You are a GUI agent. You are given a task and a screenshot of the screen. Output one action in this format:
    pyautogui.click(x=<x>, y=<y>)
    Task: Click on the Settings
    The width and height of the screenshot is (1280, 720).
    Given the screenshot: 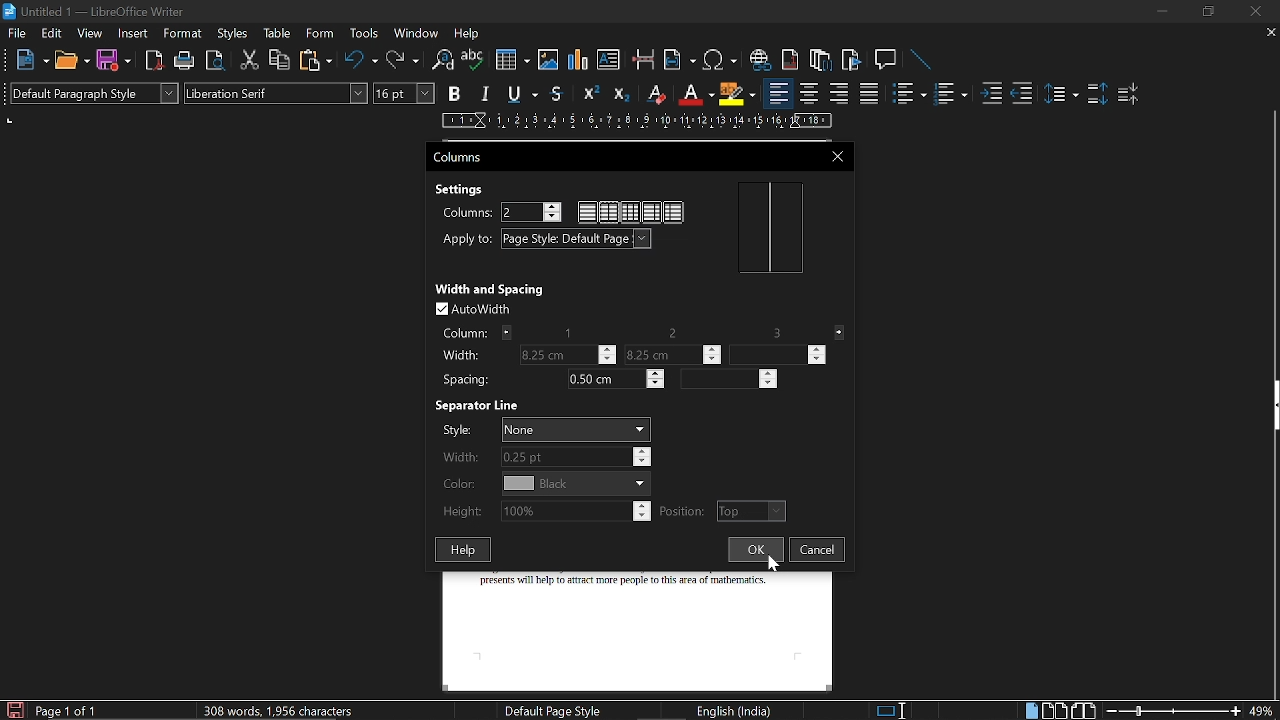 What is the action you would take?
    pyautogui.click(x=458, y=190)
    